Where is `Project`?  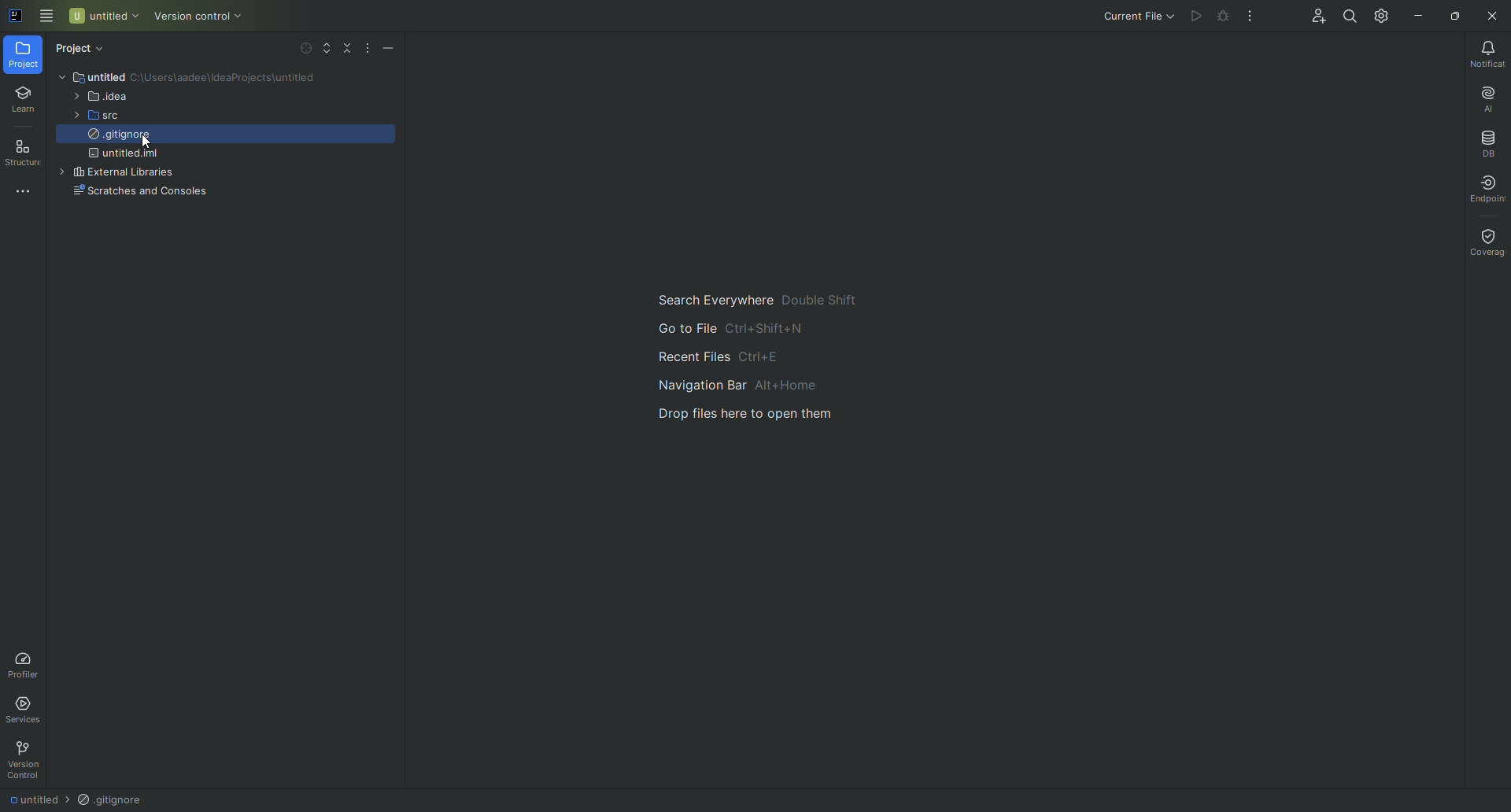 Project is located at coordinates (24, 56).